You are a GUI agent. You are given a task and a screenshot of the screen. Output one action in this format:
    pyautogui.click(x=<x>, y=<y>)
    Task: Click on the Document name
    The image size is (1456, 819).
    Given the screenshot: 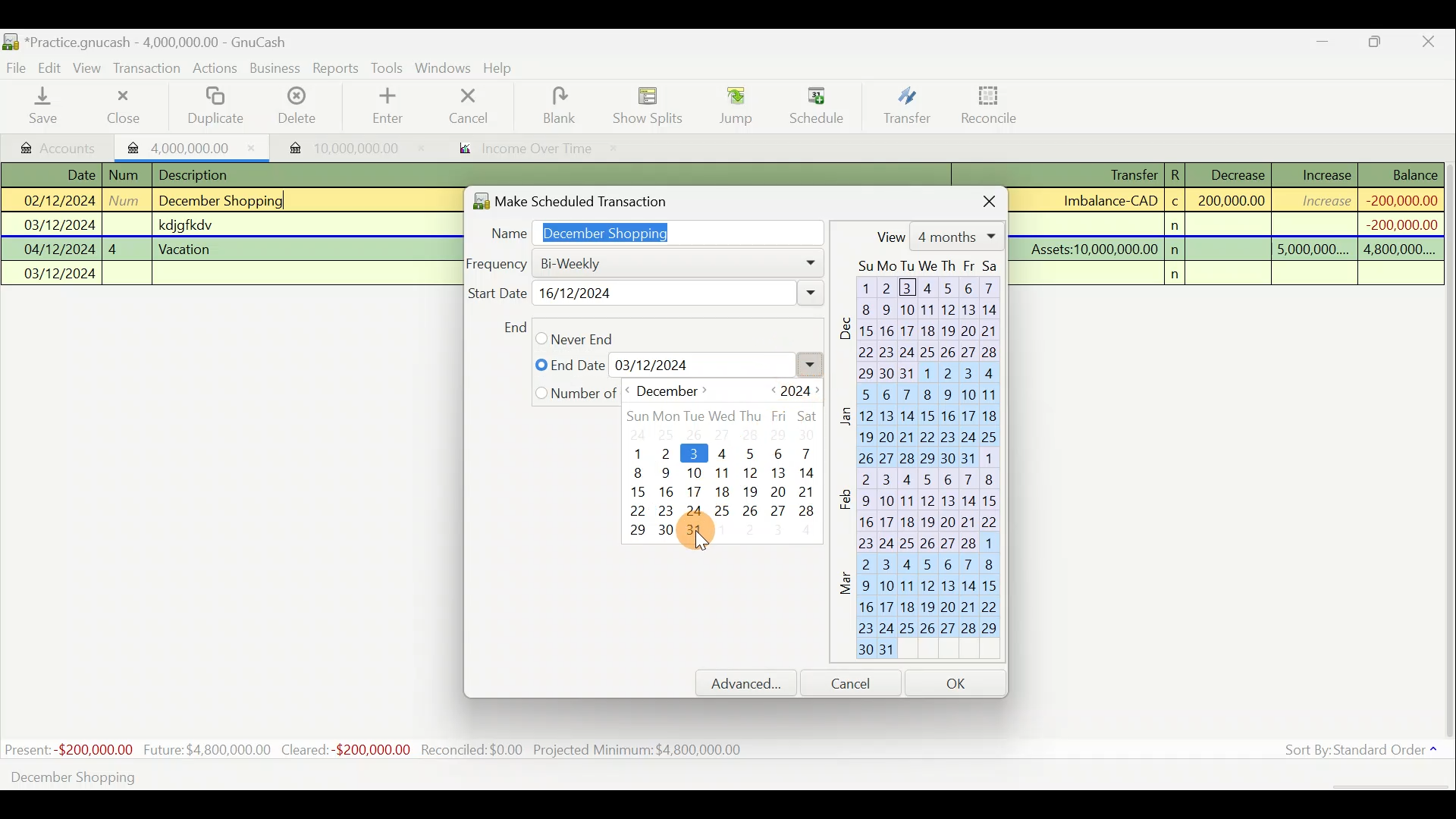 What is the action you would take?
    pyautogui.click(x=163, y=43)
    